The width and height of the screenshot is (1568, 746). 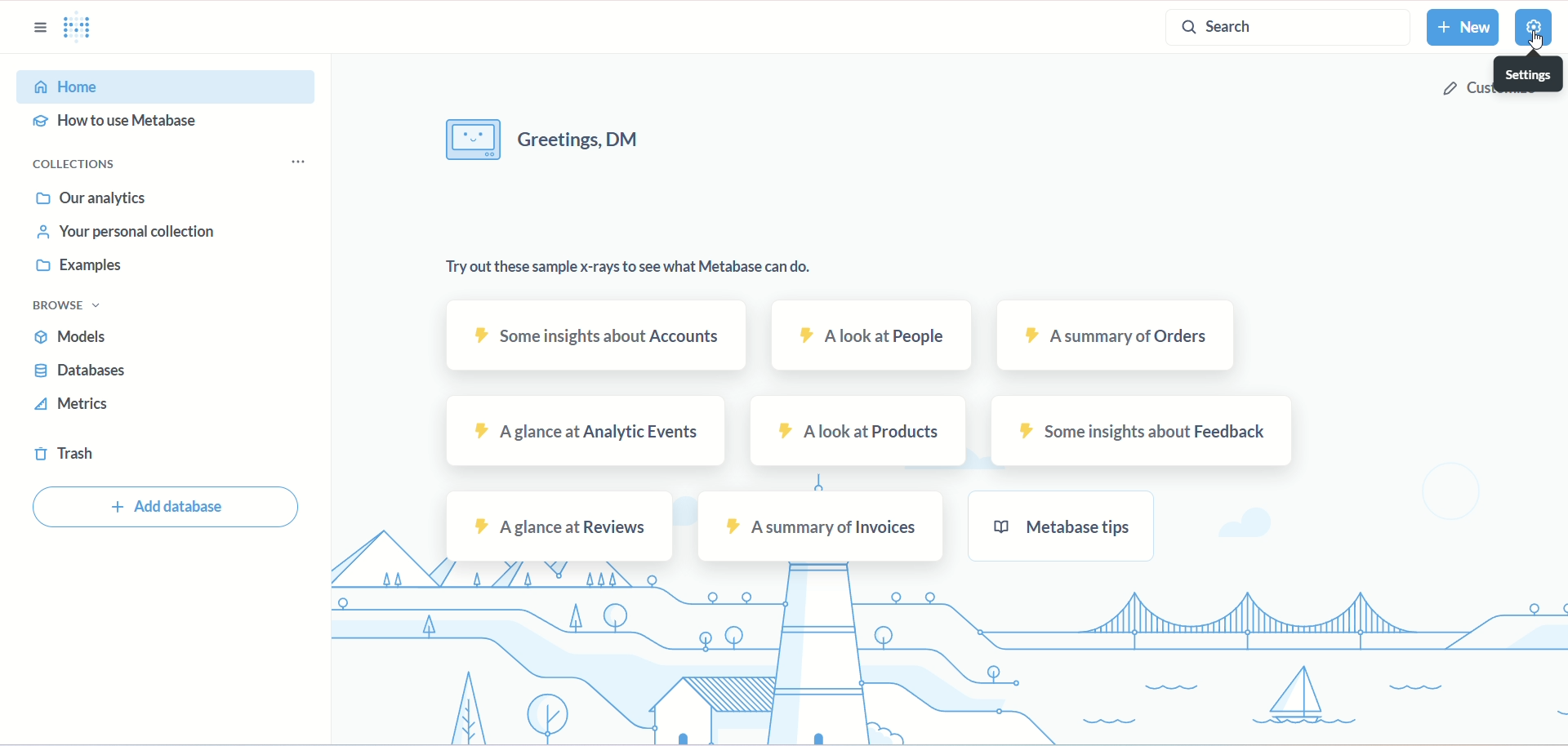 I want to click on people, so click(x=874, y=335).